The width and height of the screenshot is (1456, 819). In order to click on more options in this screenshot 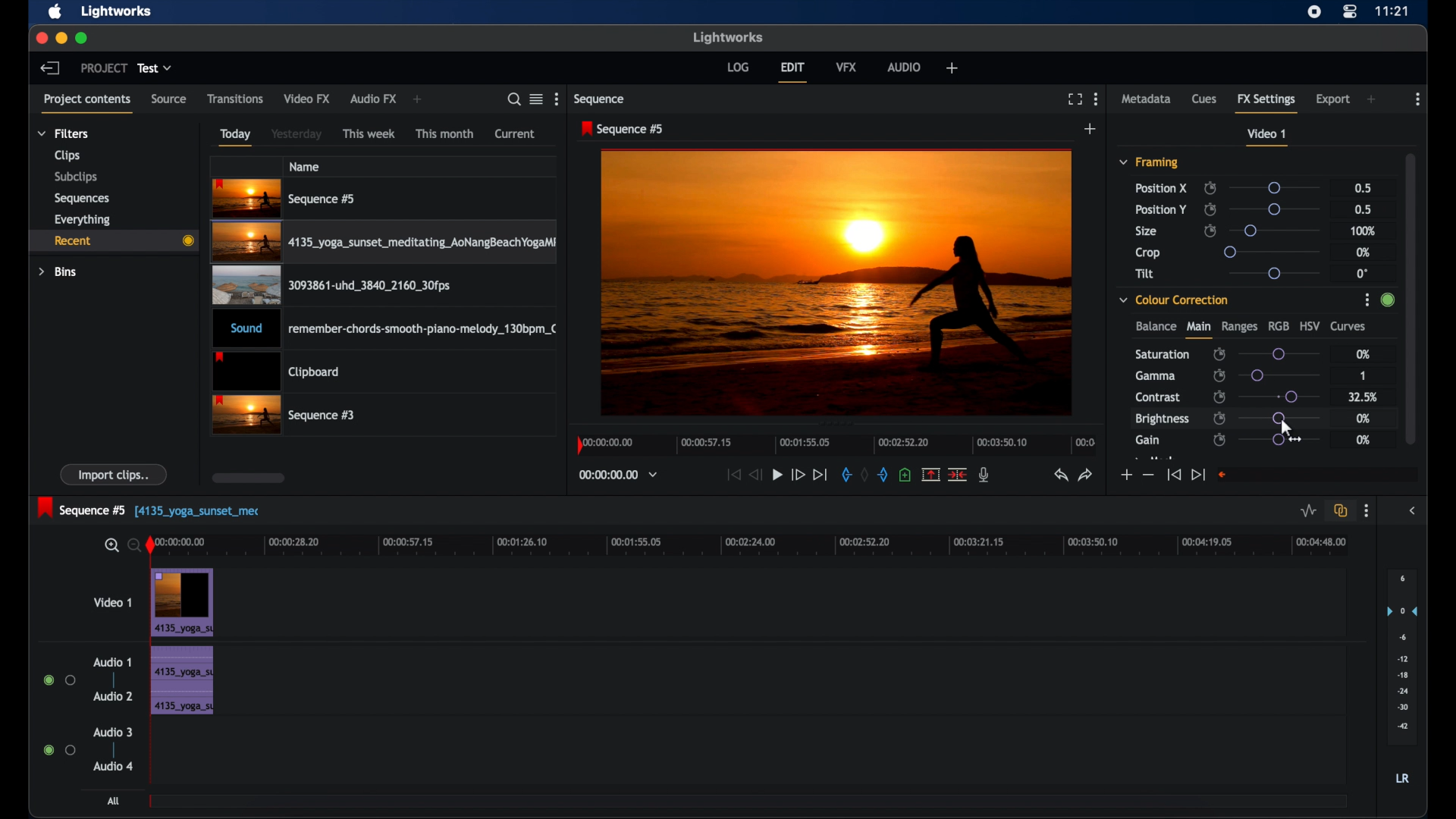, I will do `click(1366, 511)`.